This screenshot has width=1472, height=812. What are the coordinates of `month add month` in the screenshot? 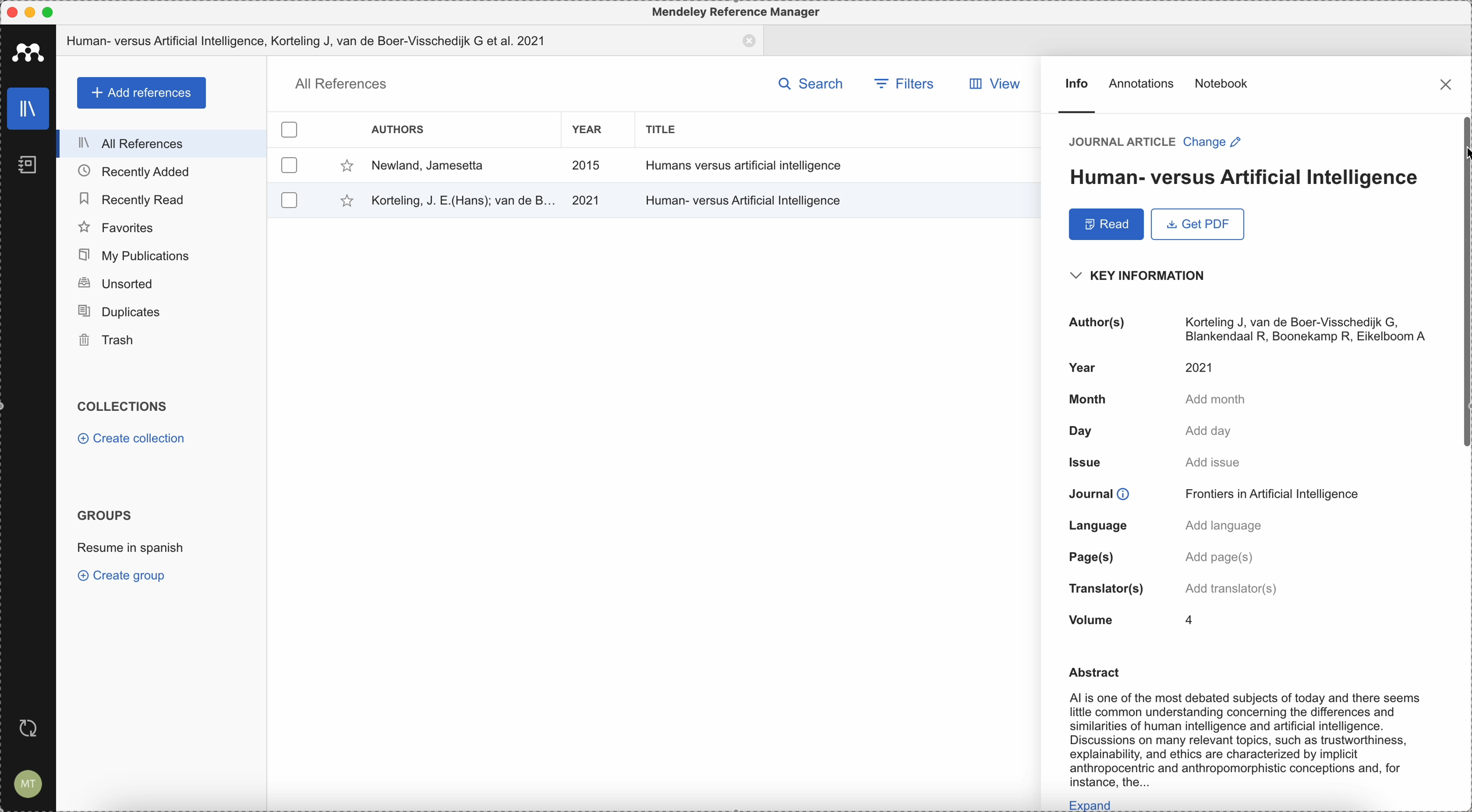 It's located at (1153, 400).